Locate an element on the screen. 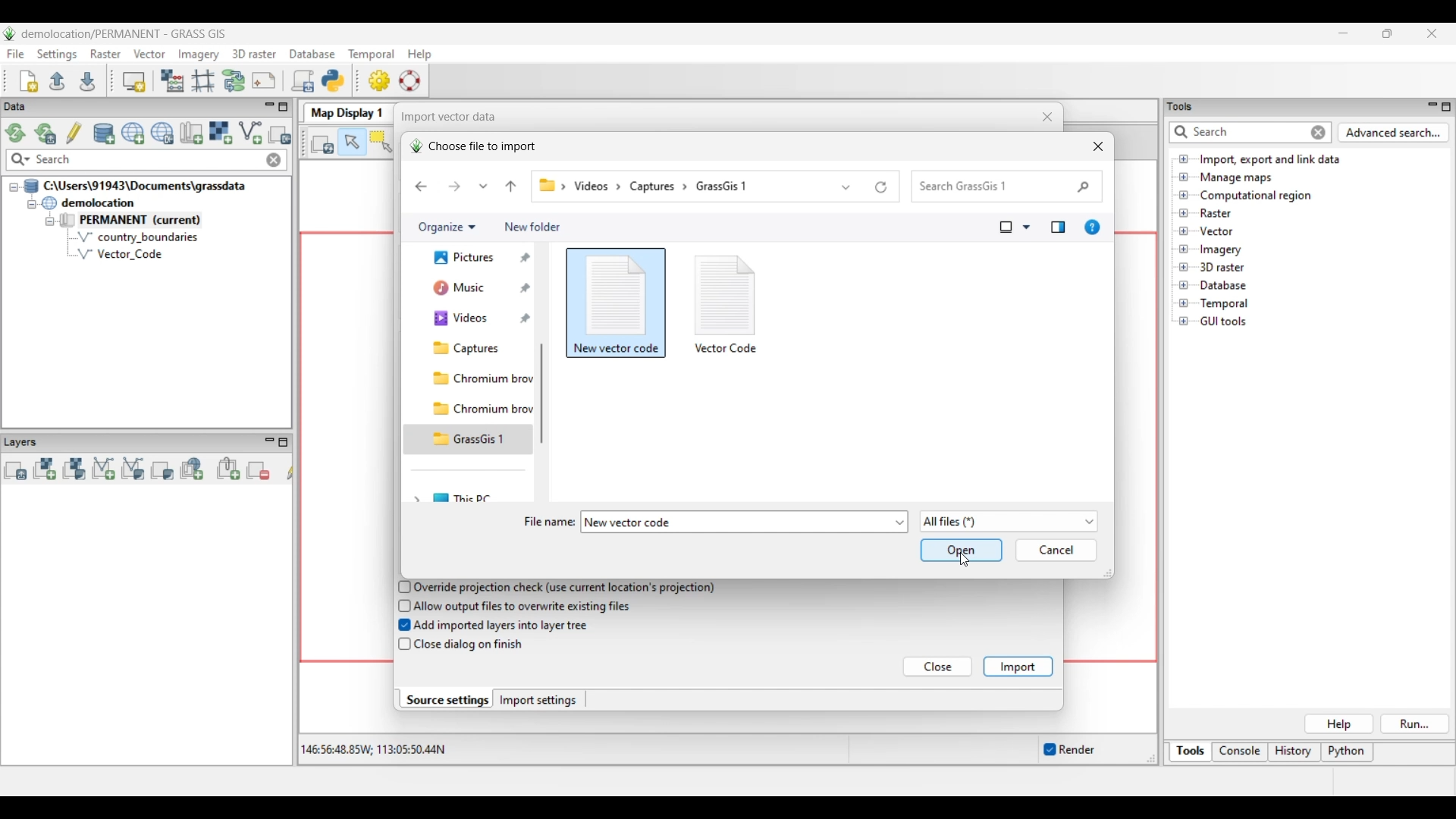  Maximize Layers panel is located at coordinates (284, 442).